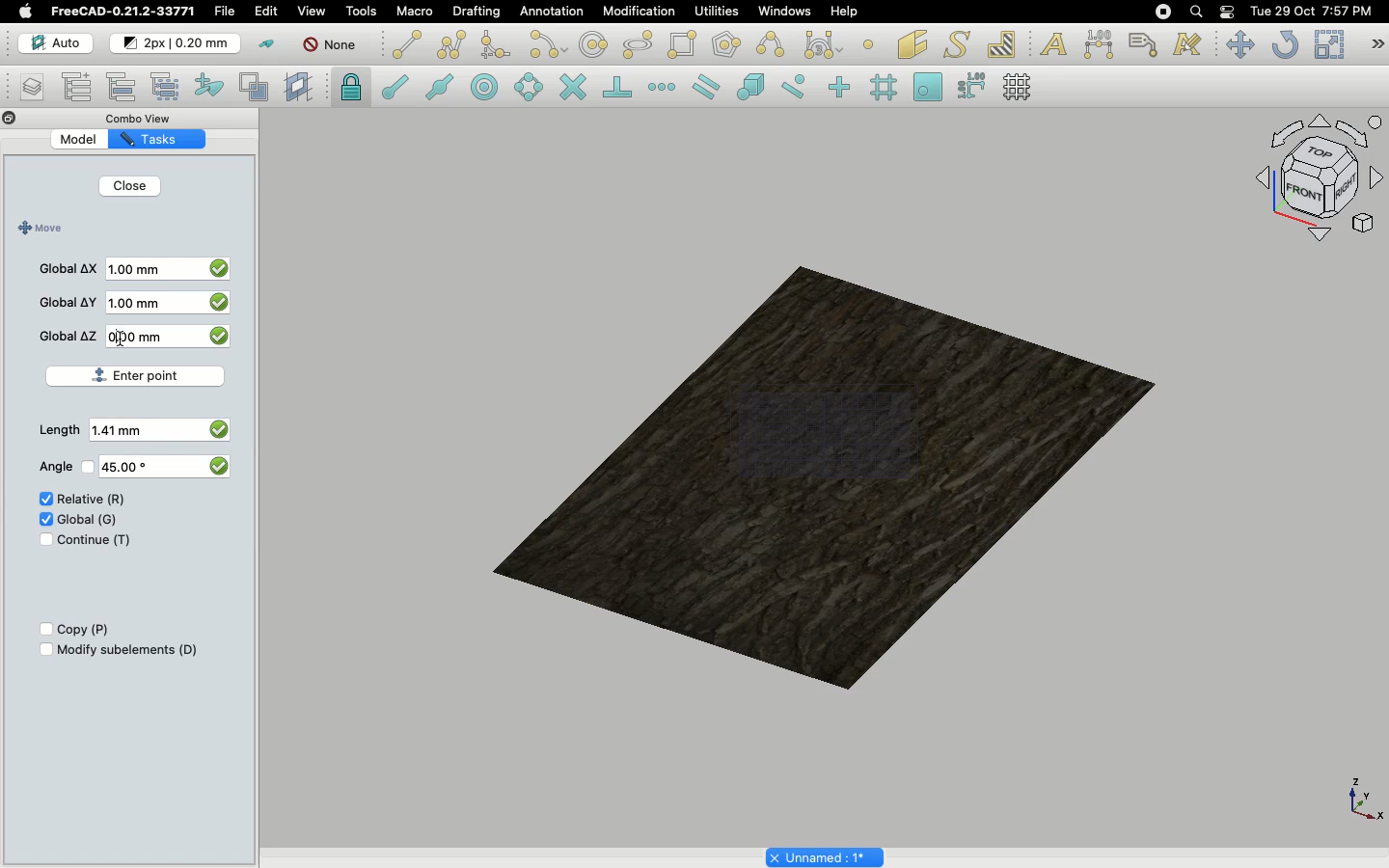 The width and height of the screenshot is (1389, 868). What do you see at coordinates (143, 372) in the screenshot?
I see `Enter point` at bounding box center [143, 372].